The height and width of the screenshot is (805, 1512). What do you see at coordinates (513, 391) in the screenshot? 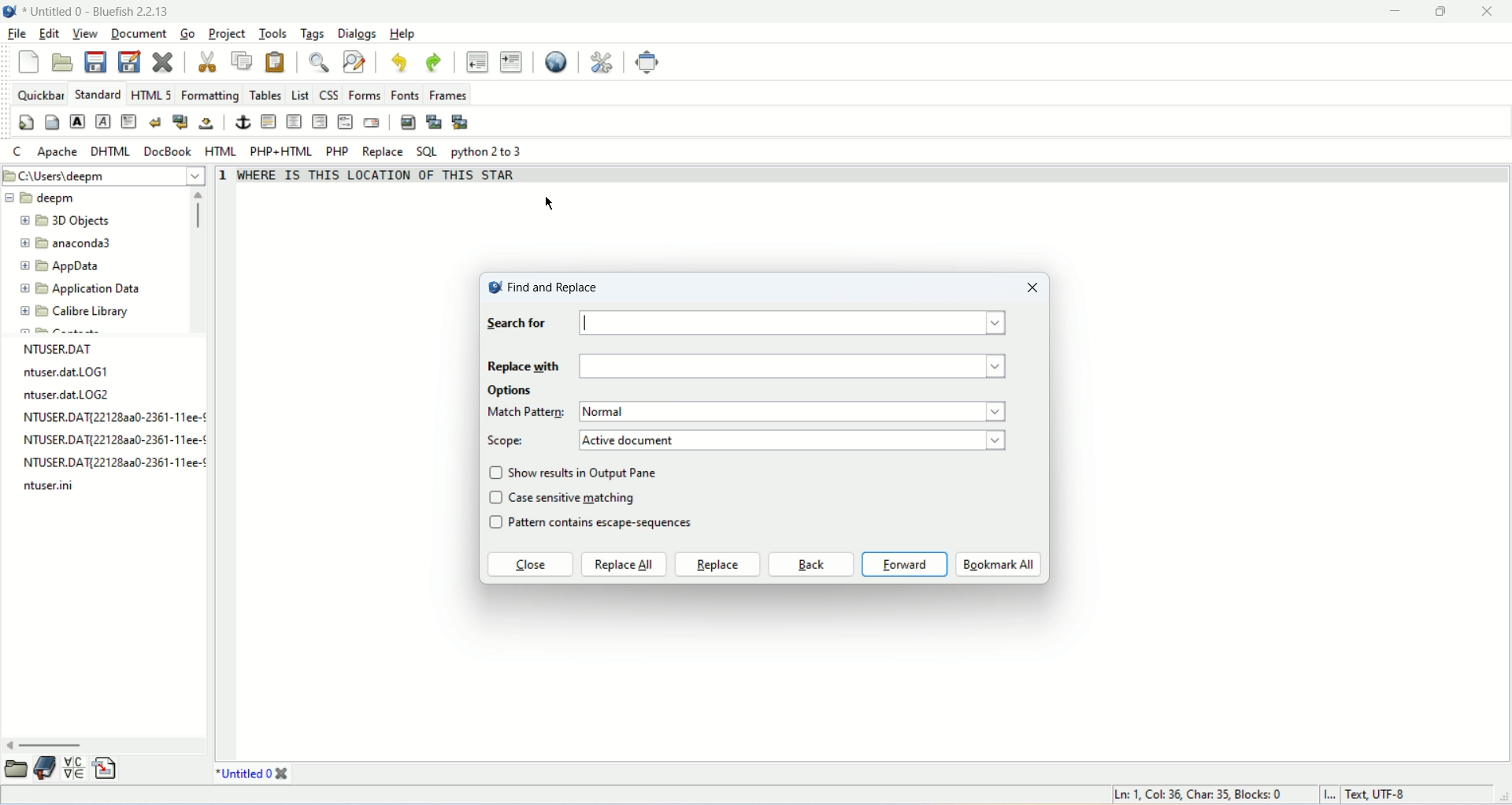
I see `Options` at bounding box center [513, 391].